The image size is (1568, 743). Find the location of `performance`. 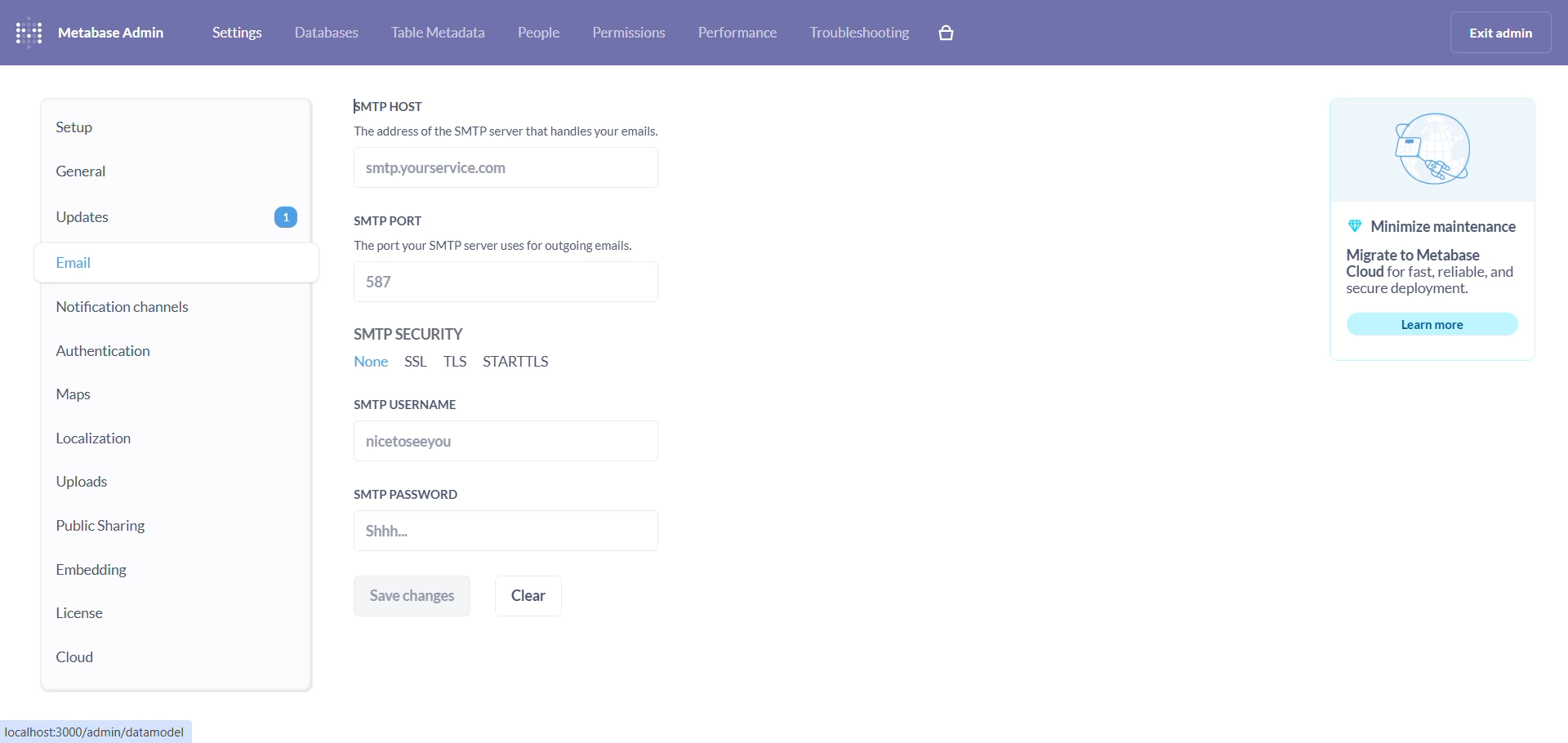

performance is located at coordinates (744, 33).